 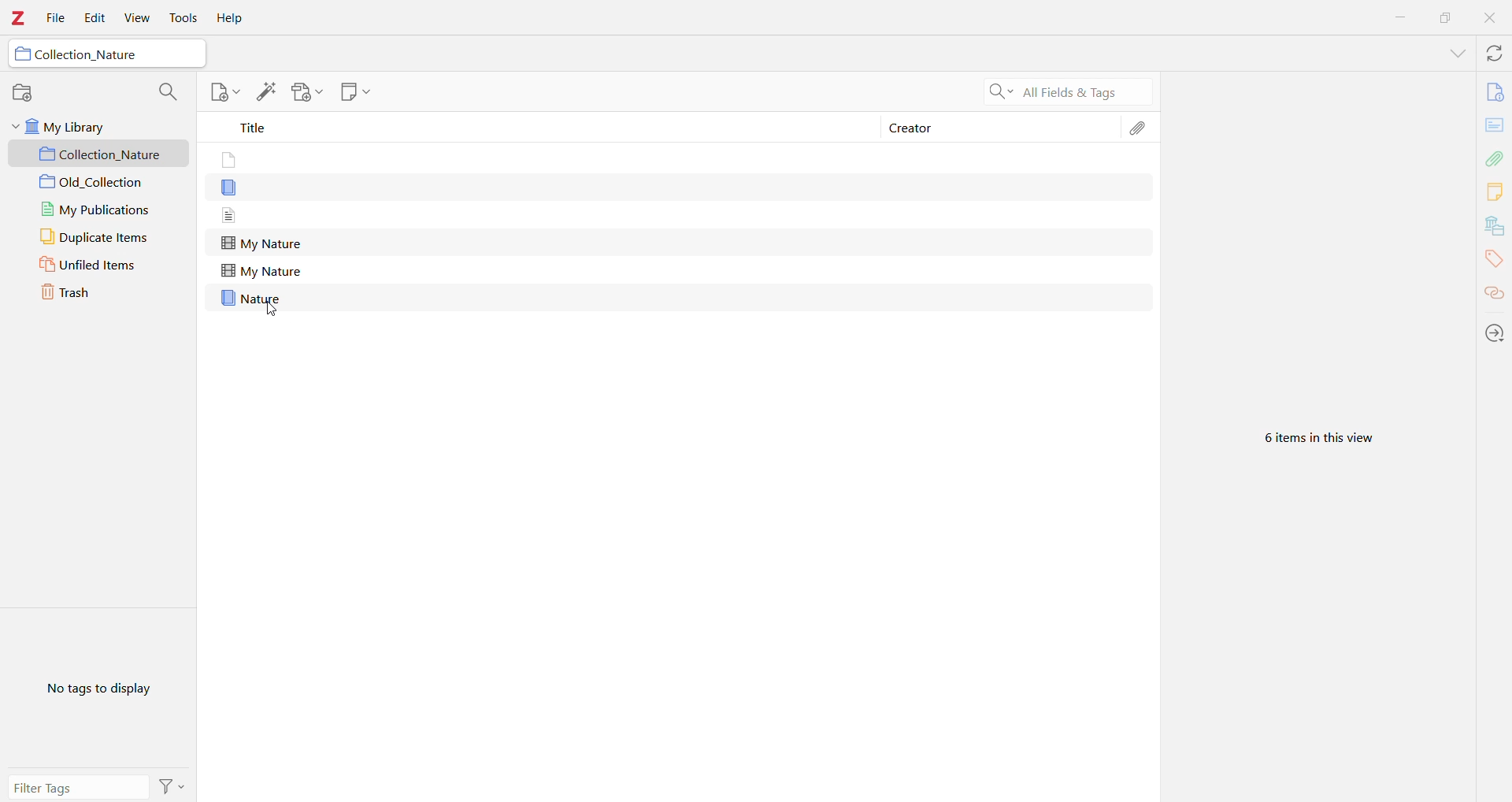 I want to click on Nature, so click(x=254, y=299).